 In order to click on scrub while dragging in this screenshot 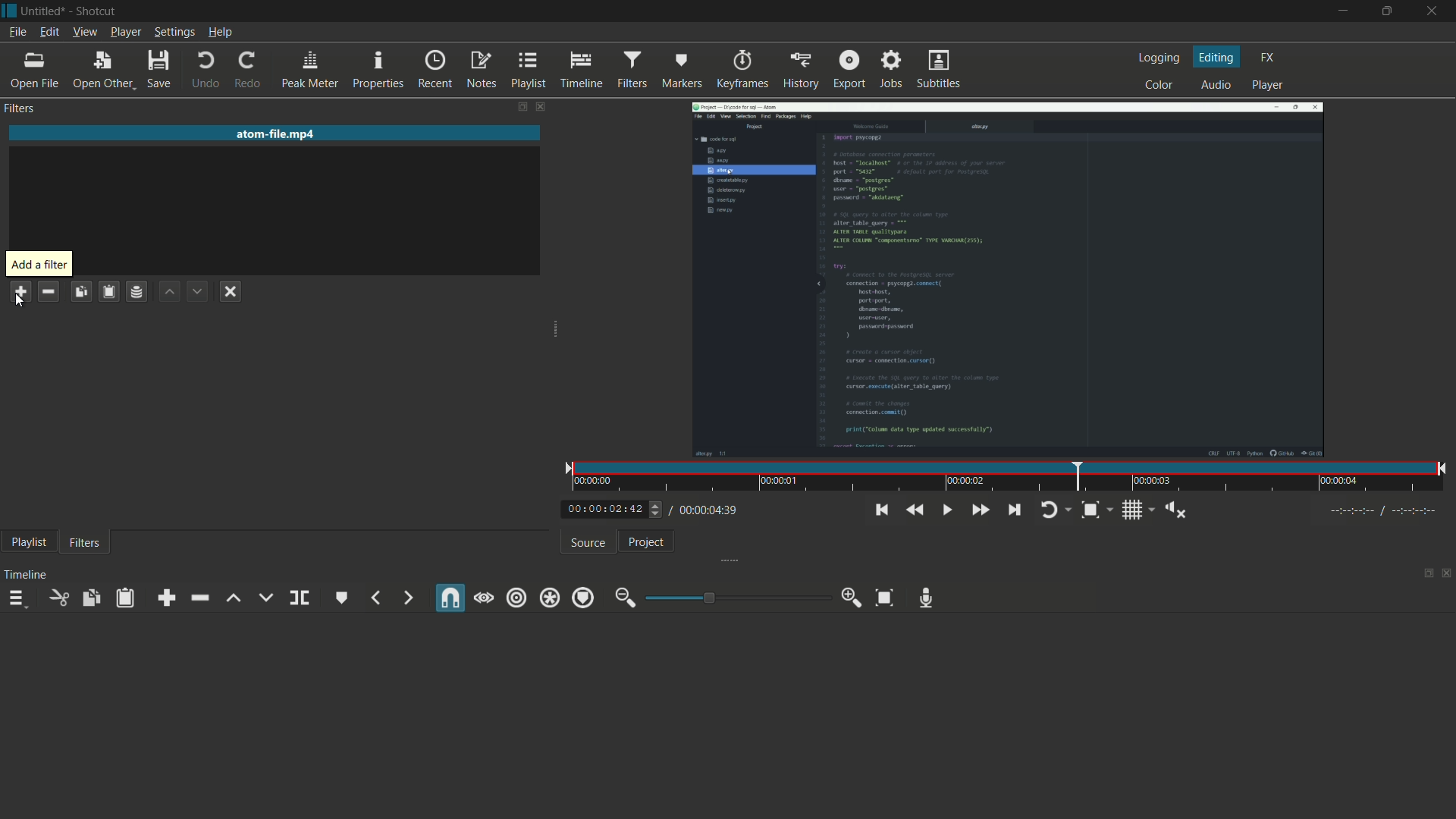, I will do `click(484, 598)`.